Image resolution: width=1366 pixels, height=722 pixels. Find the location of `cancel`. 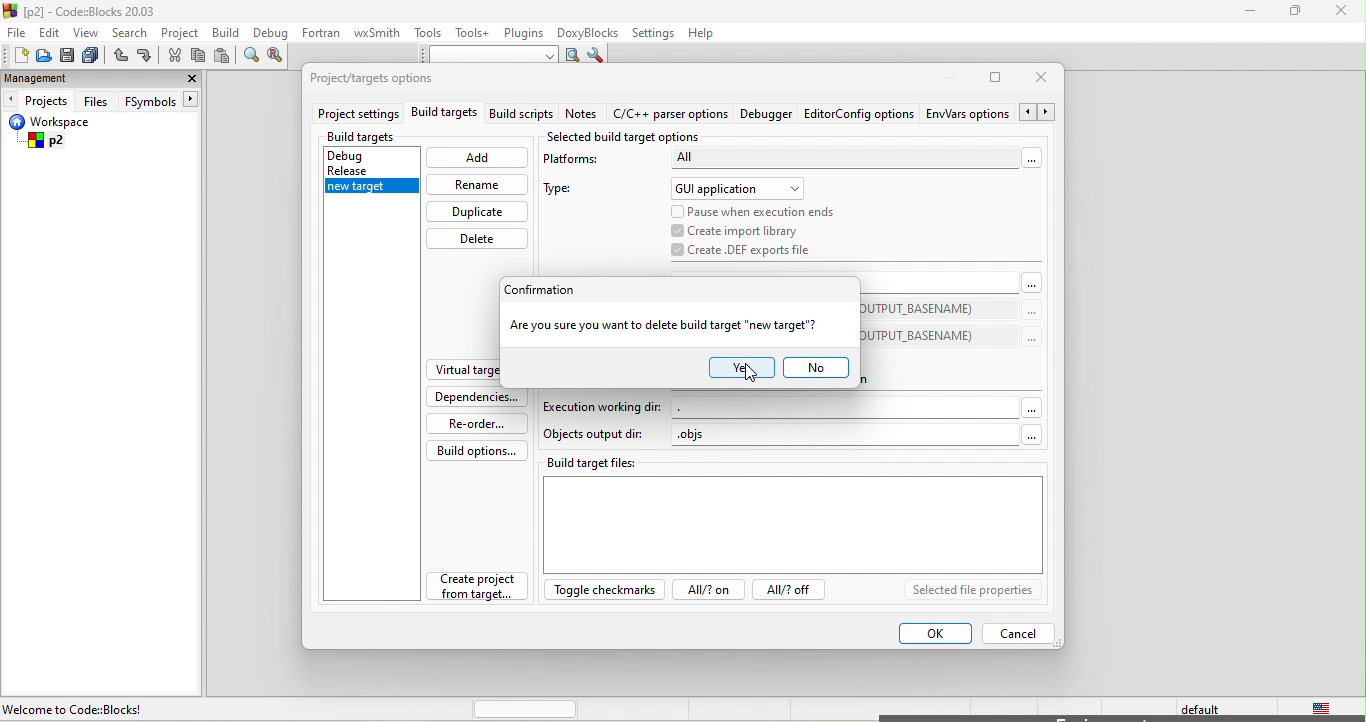

cancel is located at coordinates (1020, 633).